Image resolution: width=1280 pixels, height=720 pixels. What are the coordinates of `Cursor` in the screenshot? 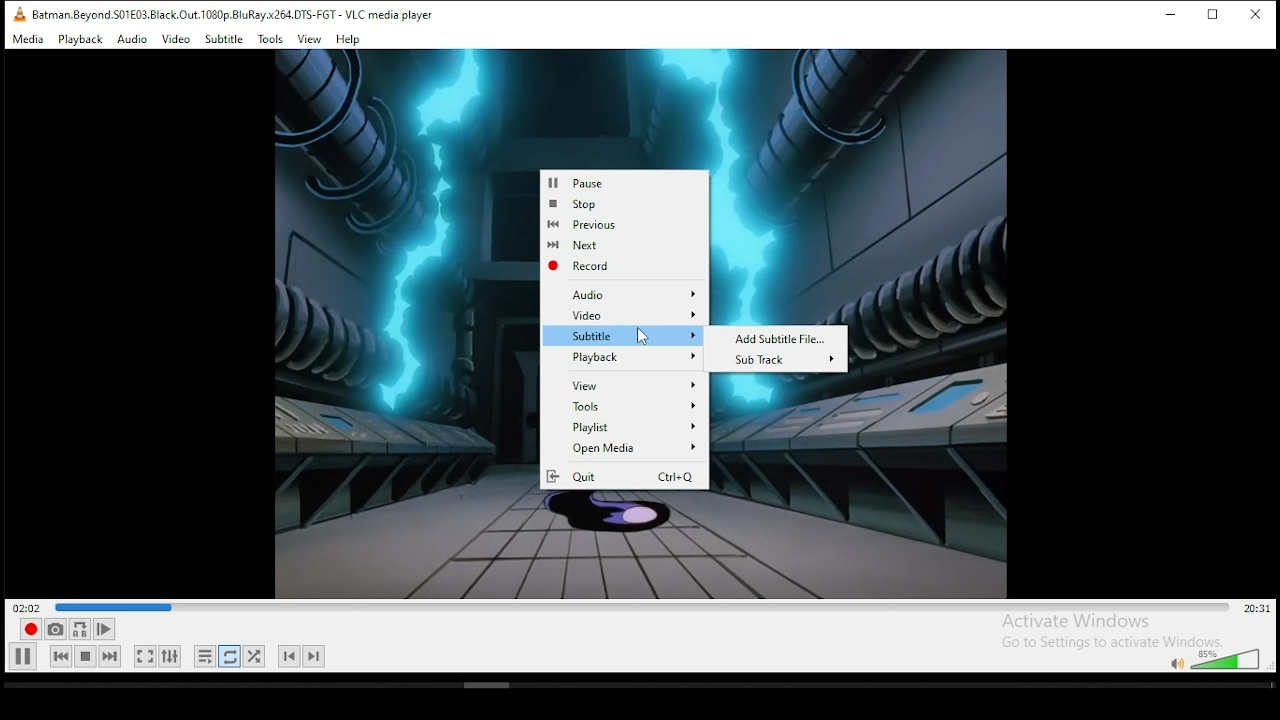 It's located at (642, 336).